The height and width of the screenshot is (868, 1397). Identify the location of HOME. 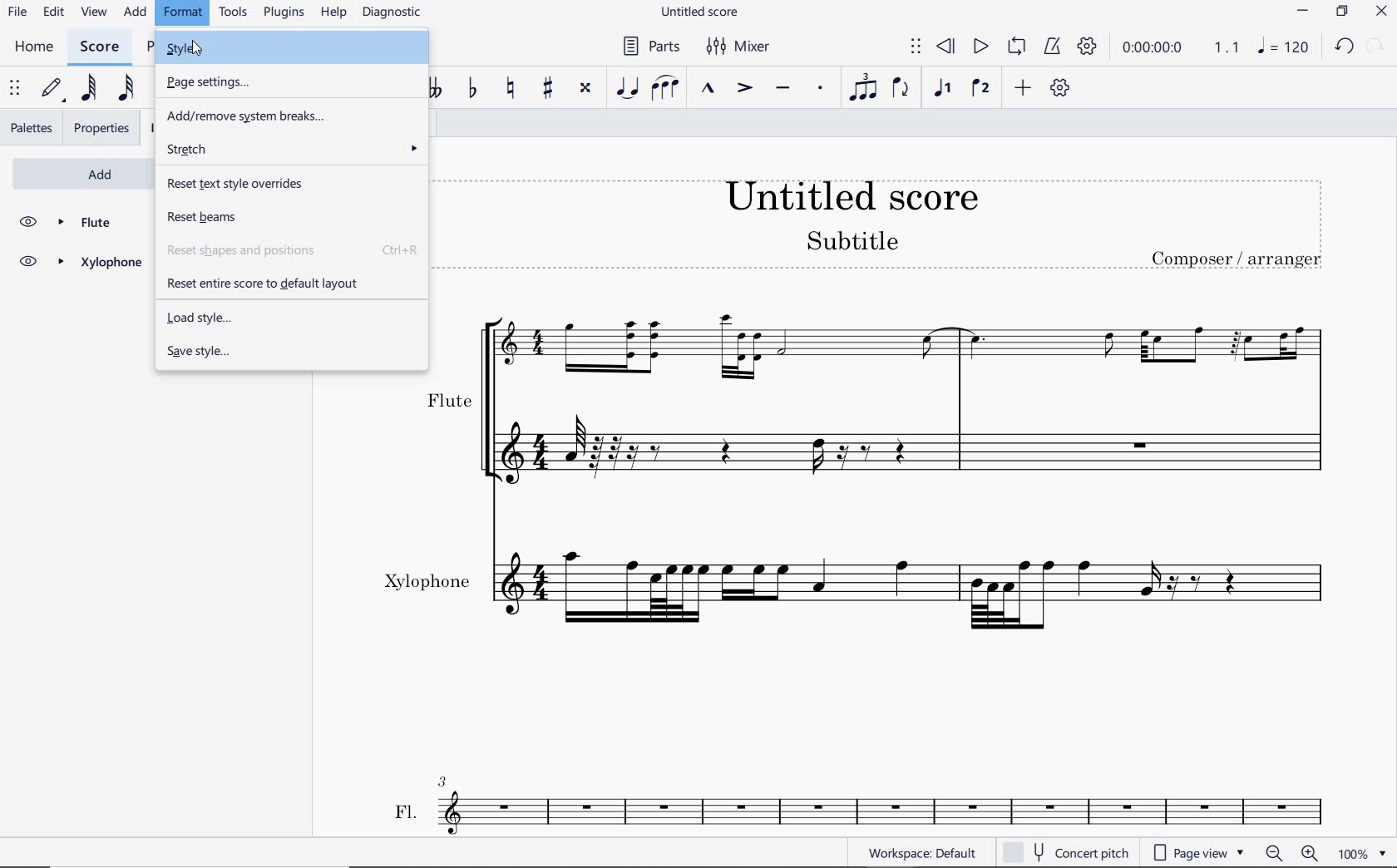
(34, 47).